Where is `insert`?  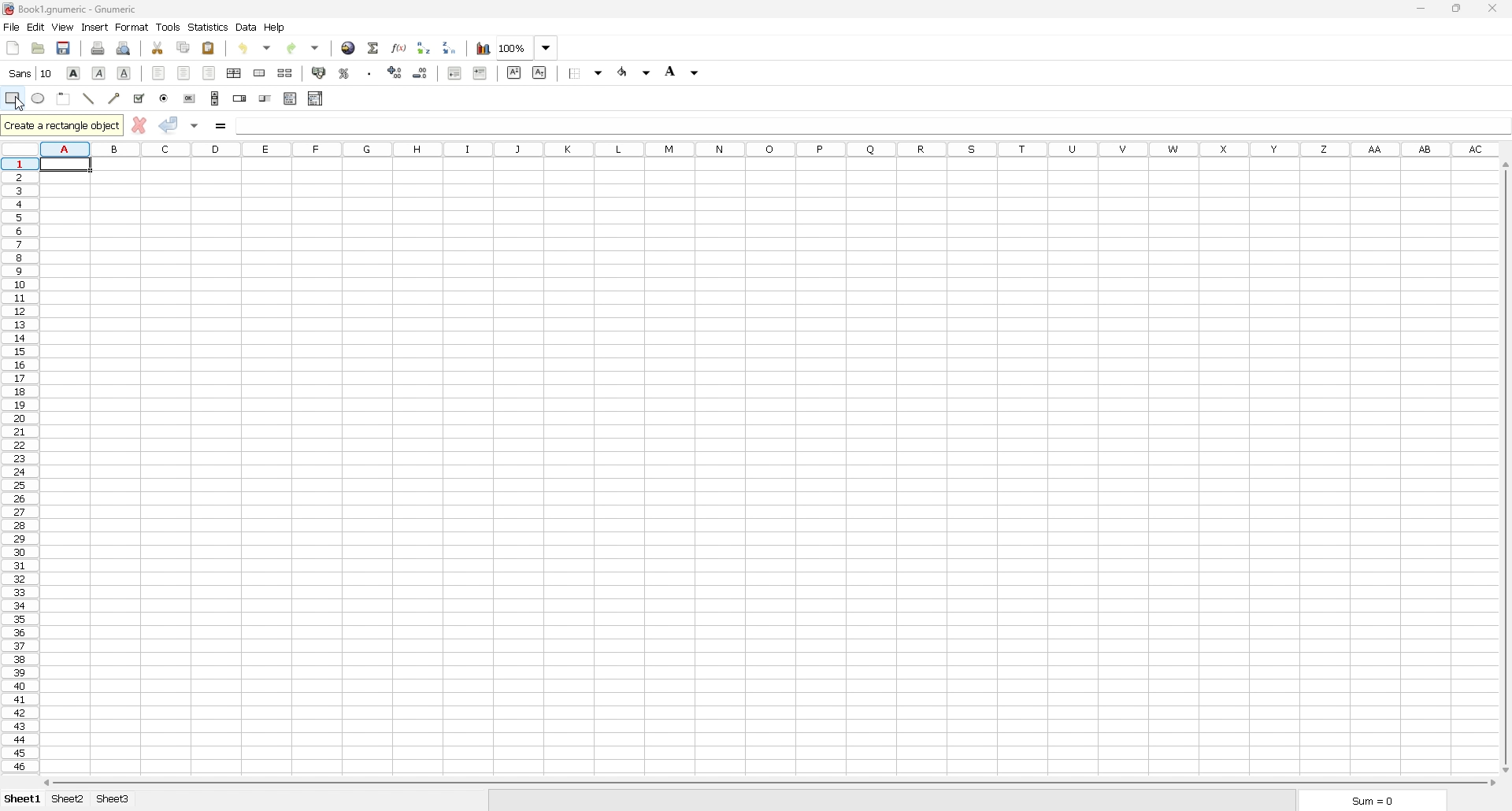
insert is located at coordinates (95, 27).